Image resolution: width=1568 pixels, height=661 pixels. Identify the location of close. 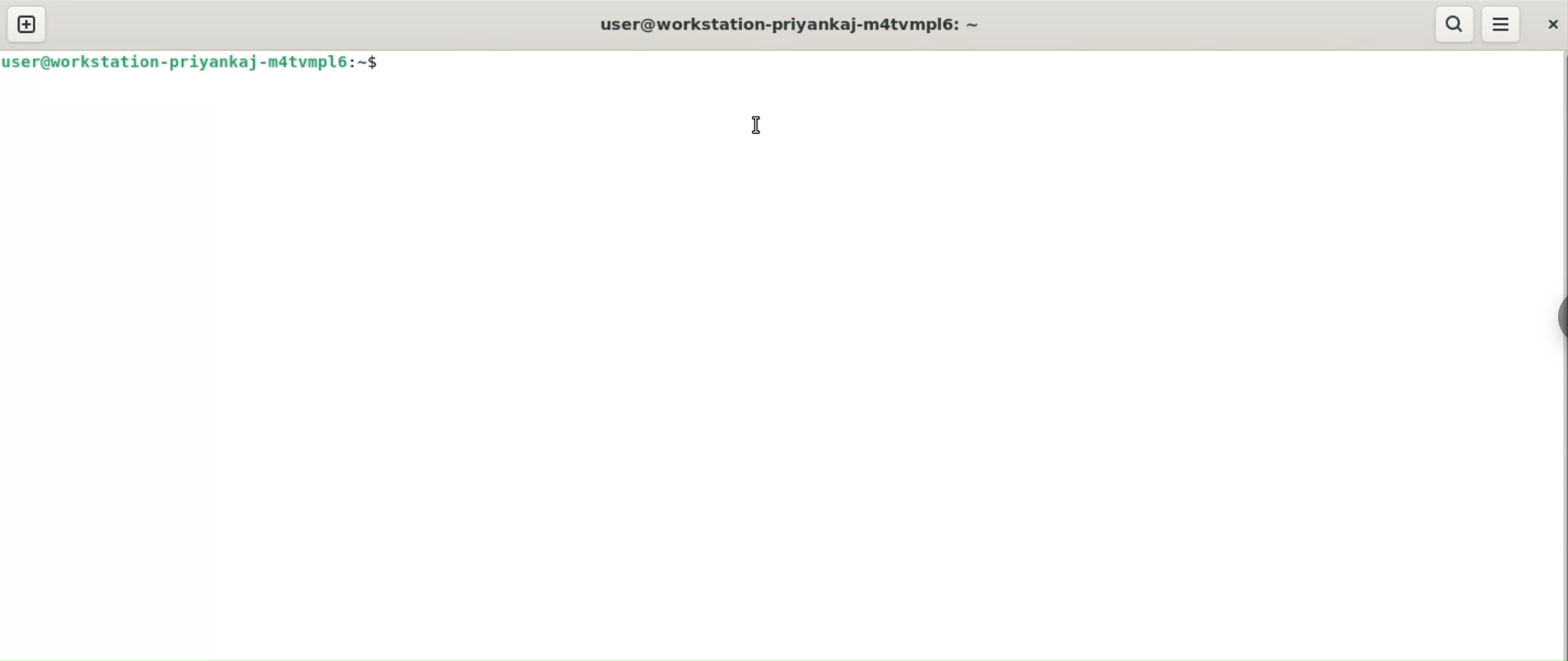
(1552, 25).